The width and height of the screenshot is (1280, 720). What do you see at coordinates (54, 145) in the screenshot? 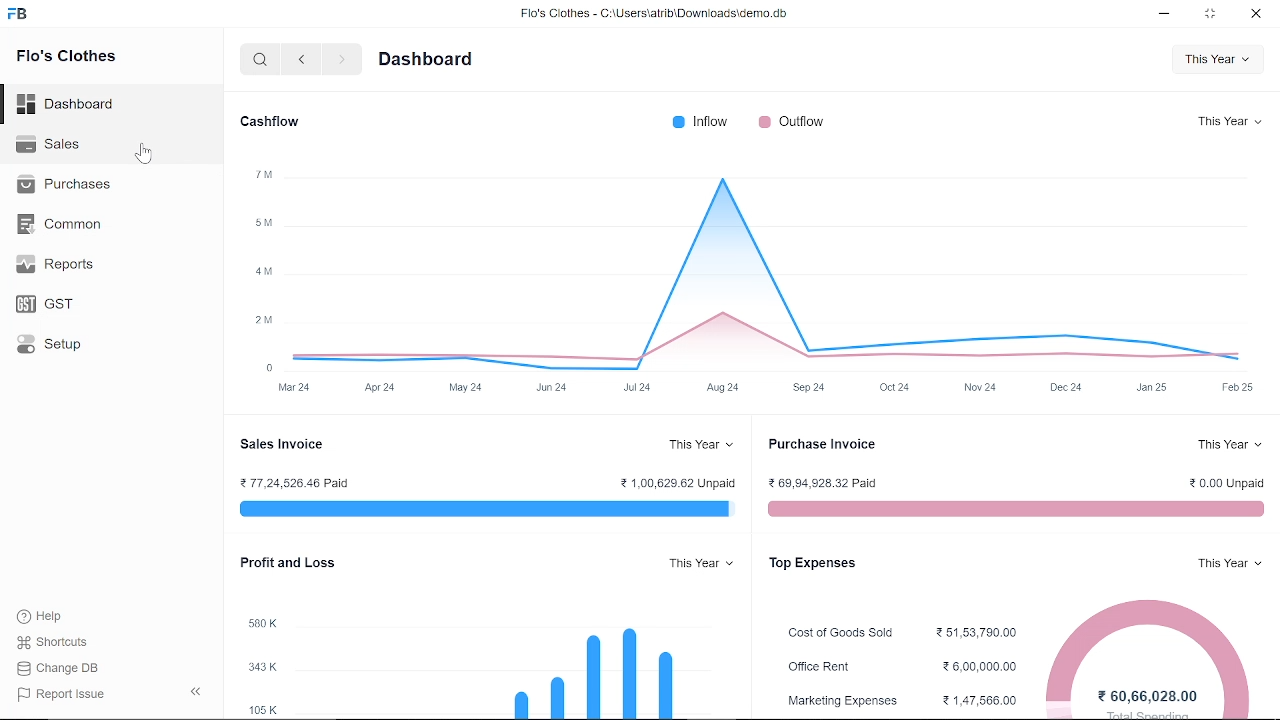
I see `Sales` at bounding box center [54, 145].